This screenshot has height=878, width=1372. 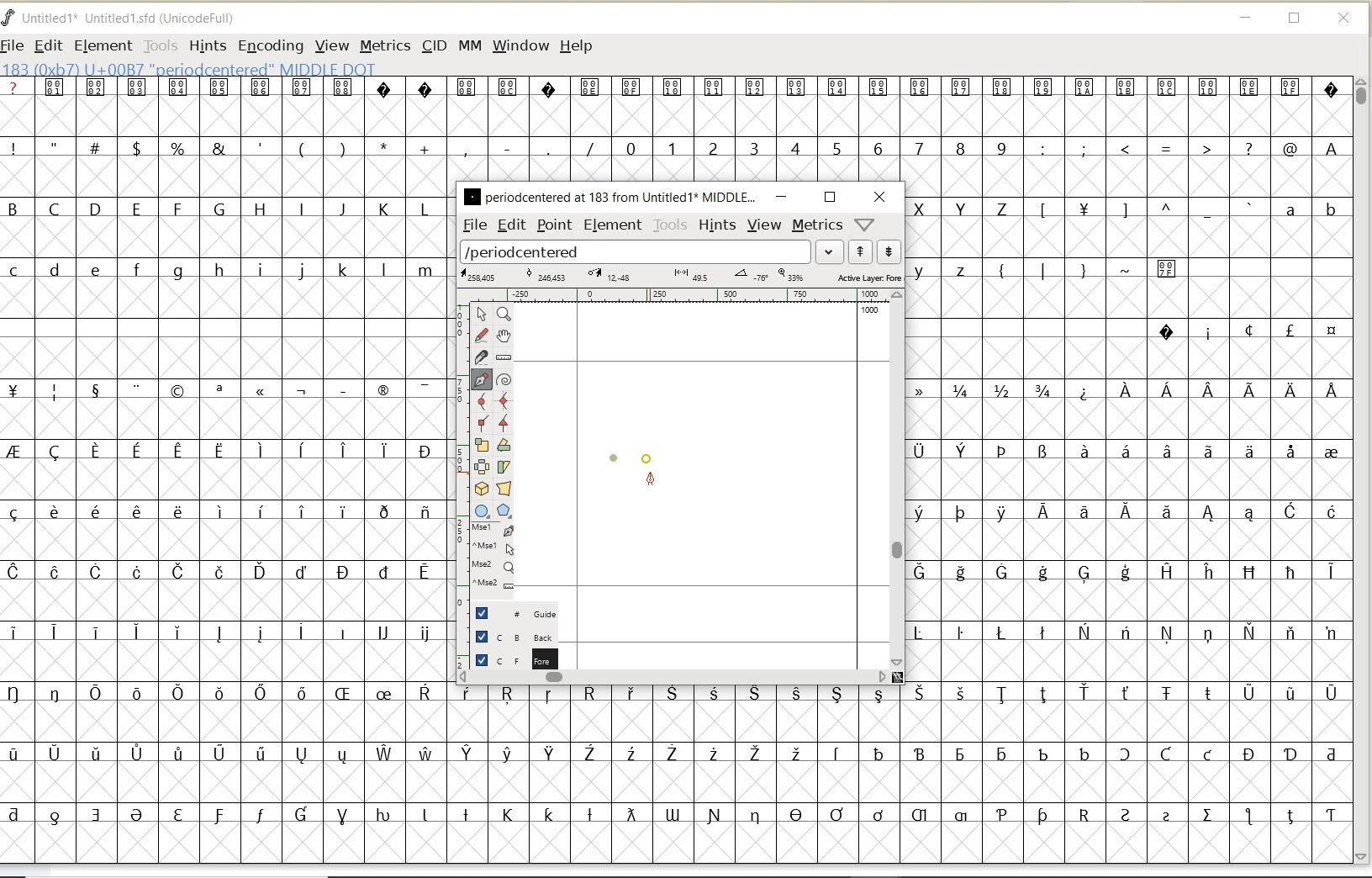 What do you see at coordinates (1193, 149) in the screenshot?
I see `special characters` at bounding box center [1193, 149].